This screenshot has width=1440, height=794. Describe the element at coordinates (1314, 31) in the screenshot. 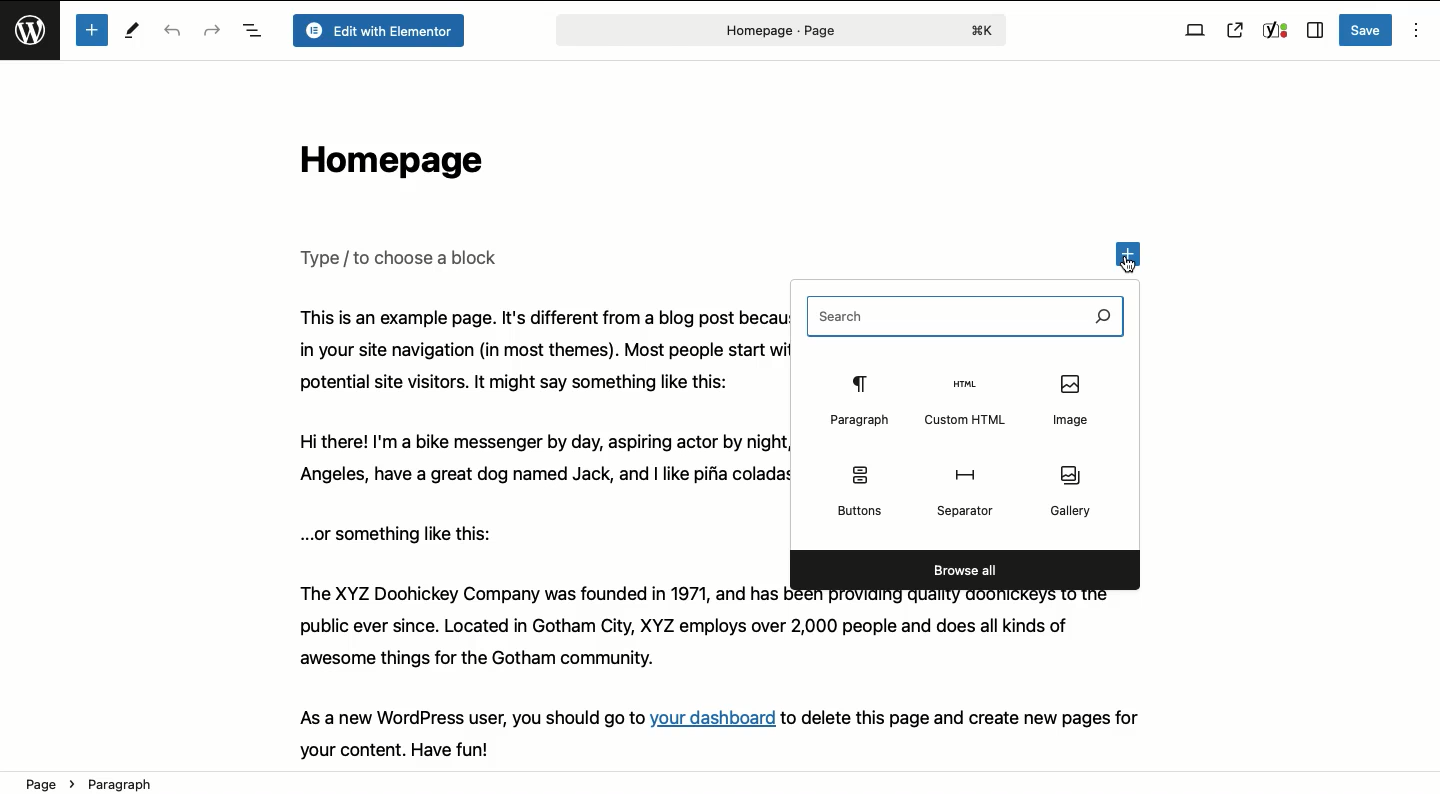

I see `Sidebar` at that location.